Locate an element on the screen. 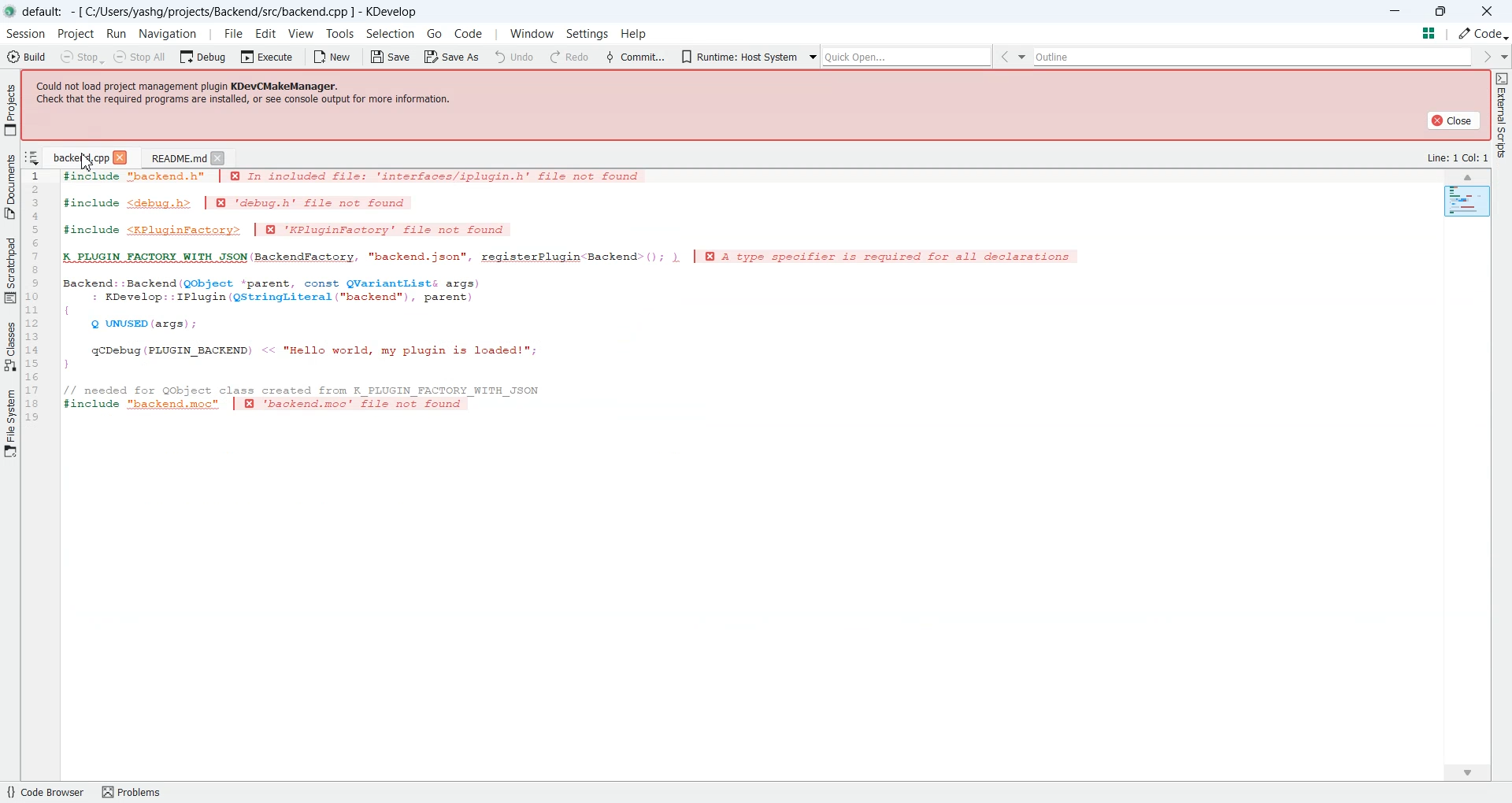 The height and width of the screenshot is (803, 1512). Column number is located at coordinates (34, 296).